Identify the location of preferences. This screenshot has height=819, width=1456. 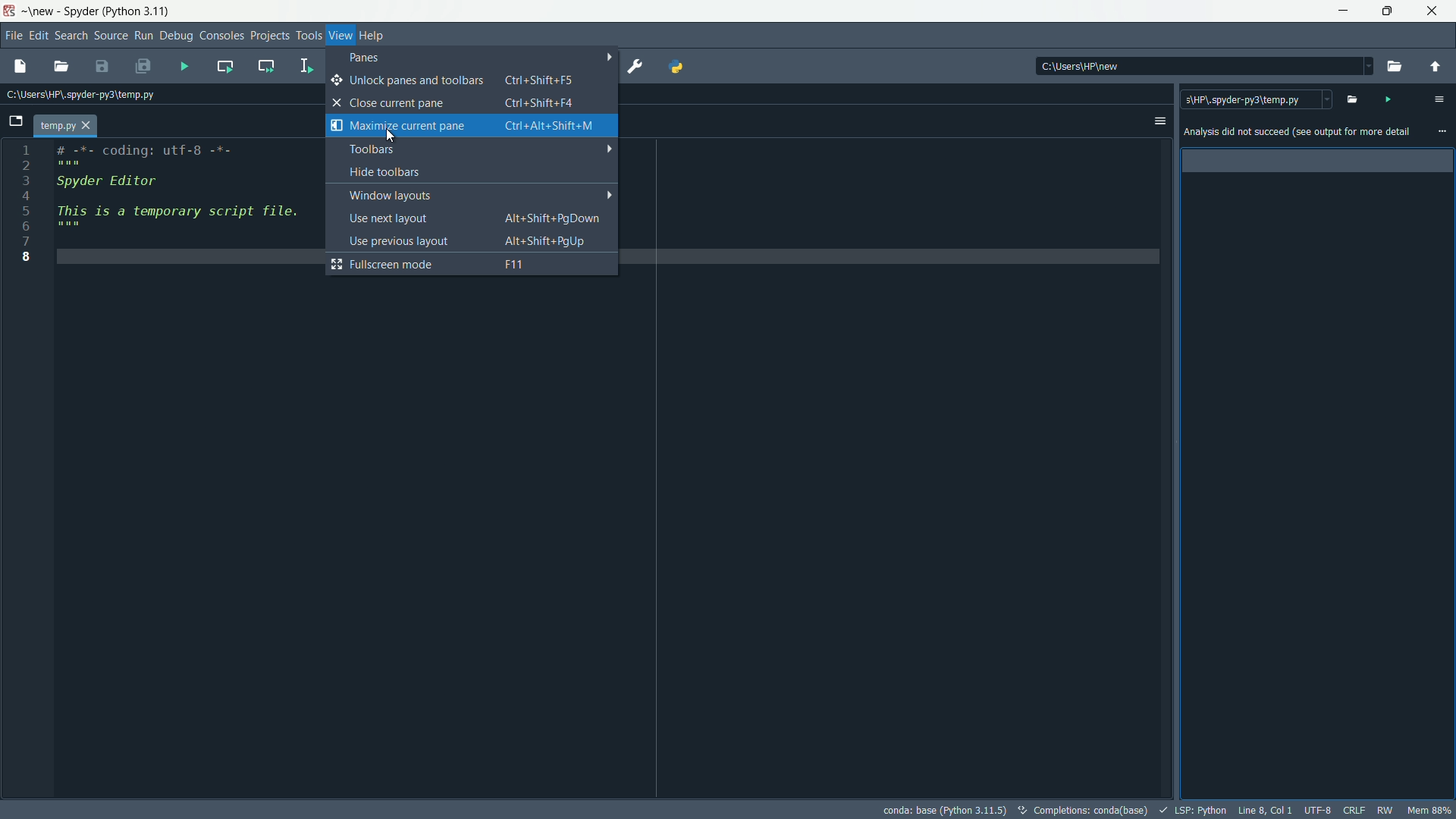
(635, 67).